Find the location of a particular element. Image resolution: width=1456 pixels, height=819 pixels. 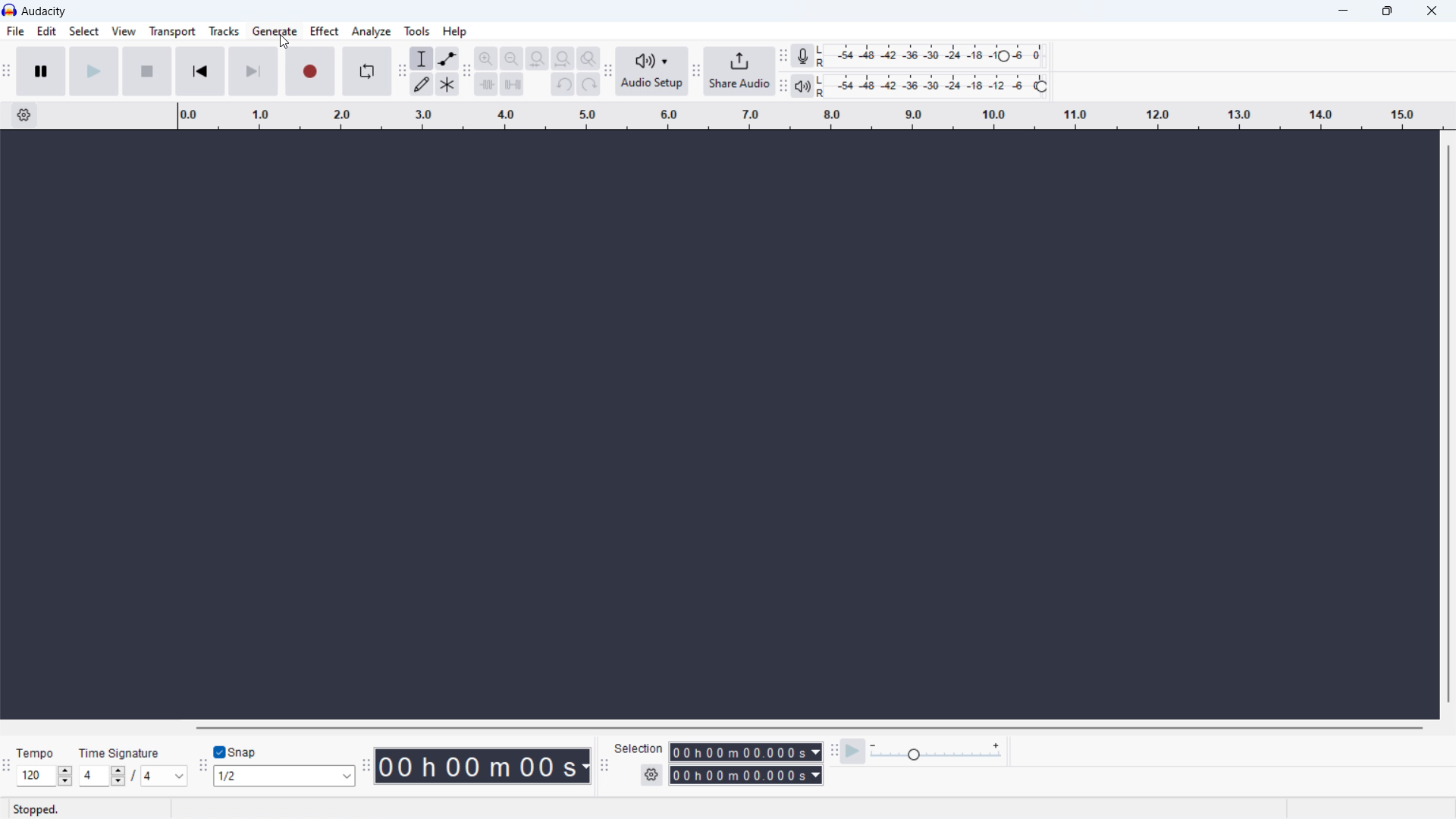

enable loop is located at coordinates (367, 72).